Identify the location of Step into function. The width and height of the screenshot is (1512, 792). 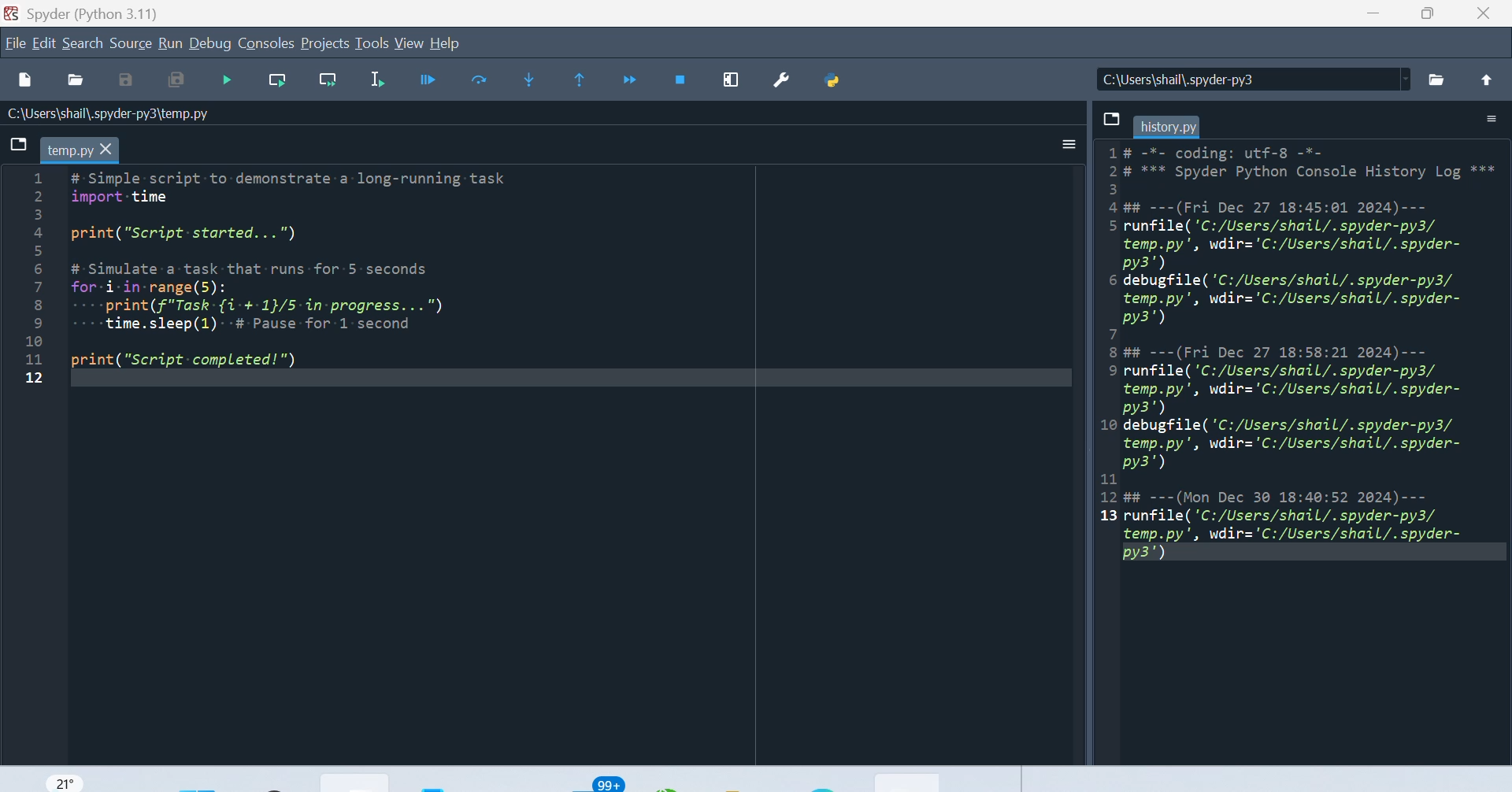
(531, 82).